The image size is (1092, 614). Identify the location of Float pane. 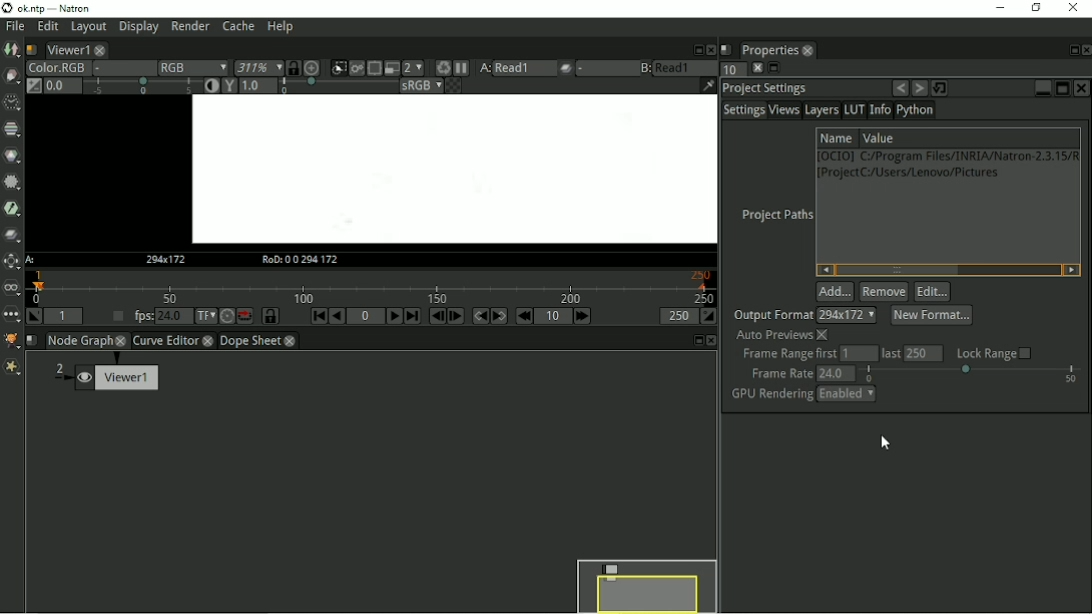
(773, 69).